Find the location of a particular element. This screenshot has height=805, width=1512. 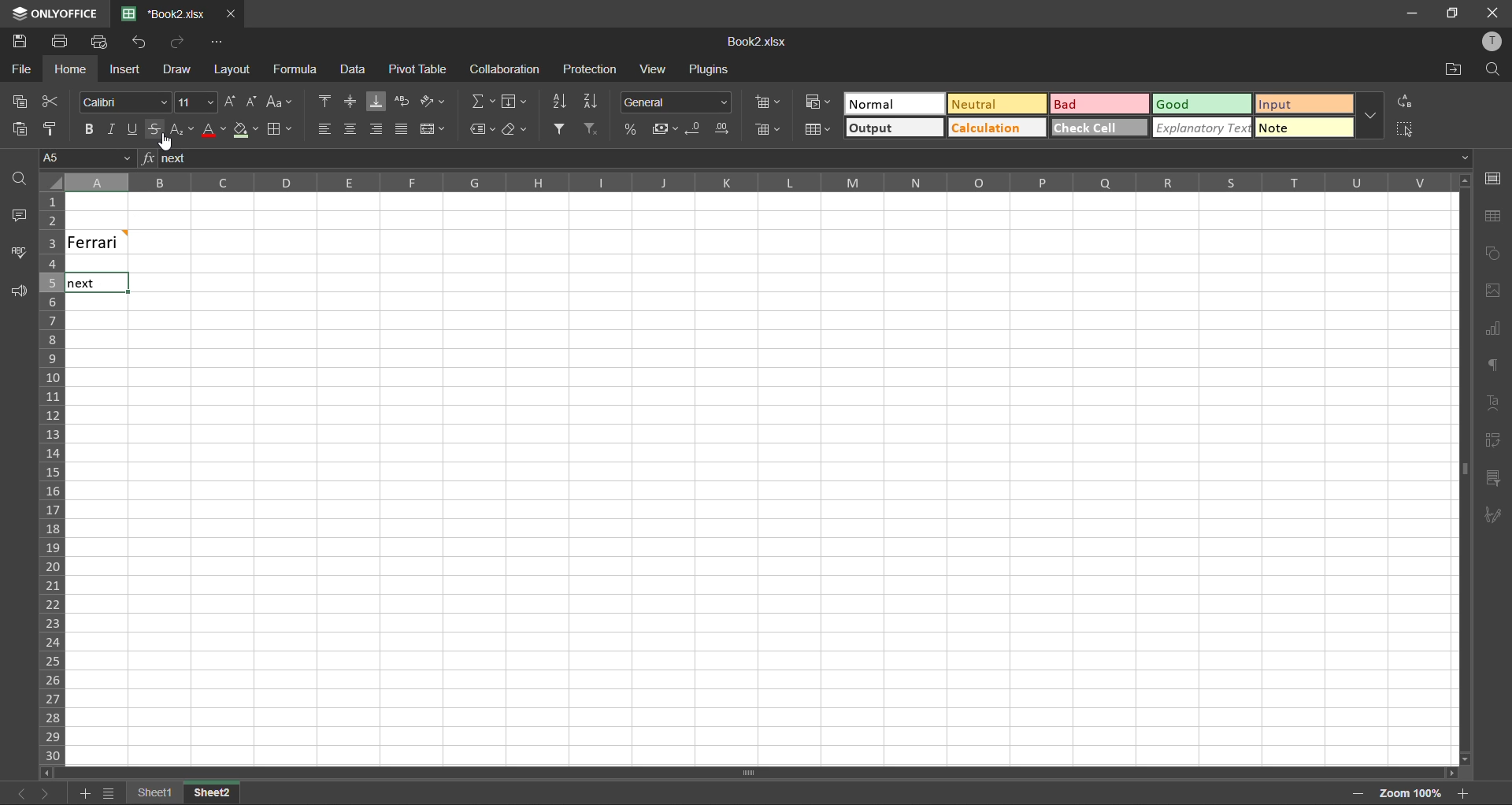

cell settings is located at coordinates (1495, 178).